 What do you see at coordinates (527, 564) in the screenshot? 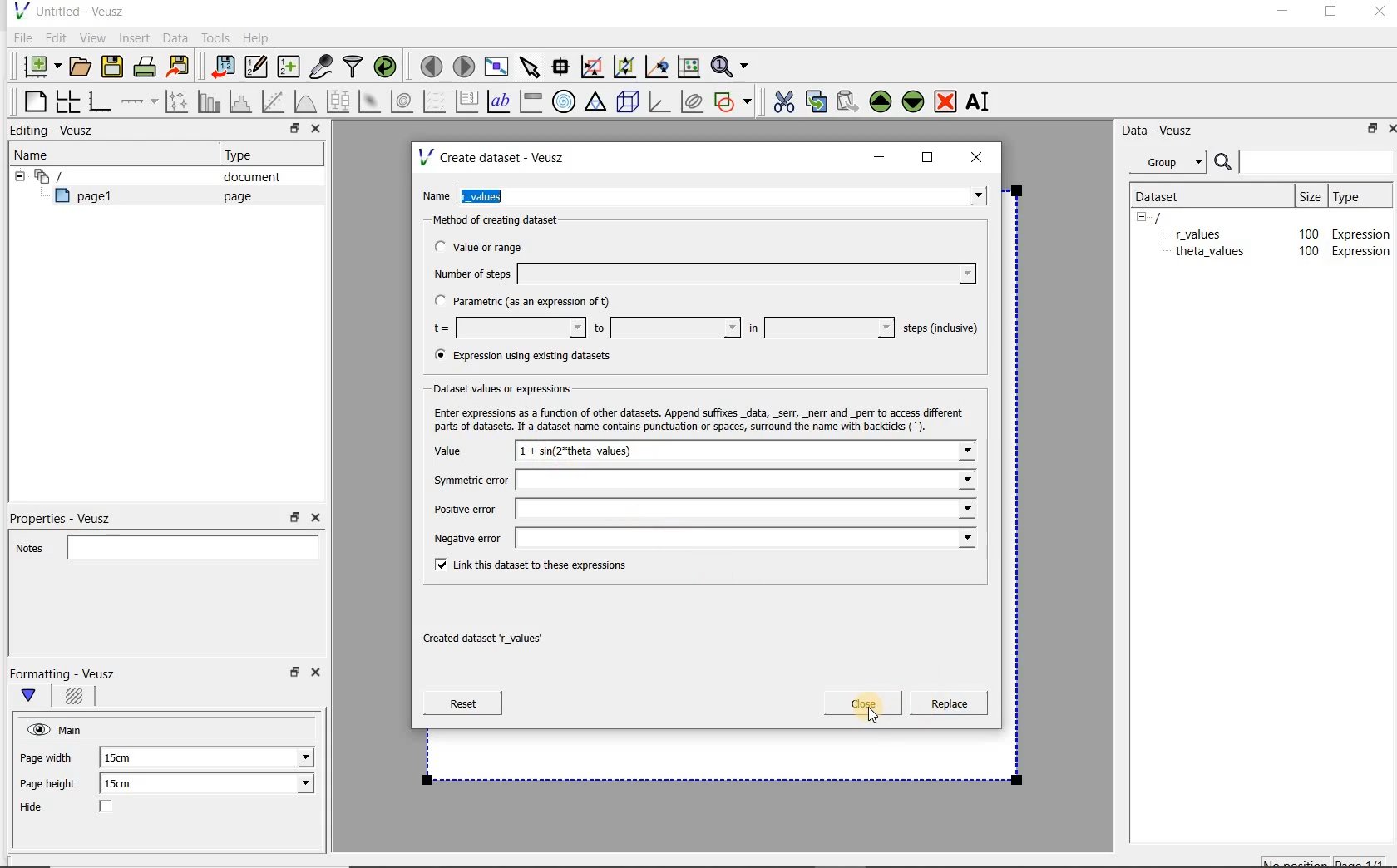
I see `Link this dataset to these expressions` at bounding box center [527, 564].